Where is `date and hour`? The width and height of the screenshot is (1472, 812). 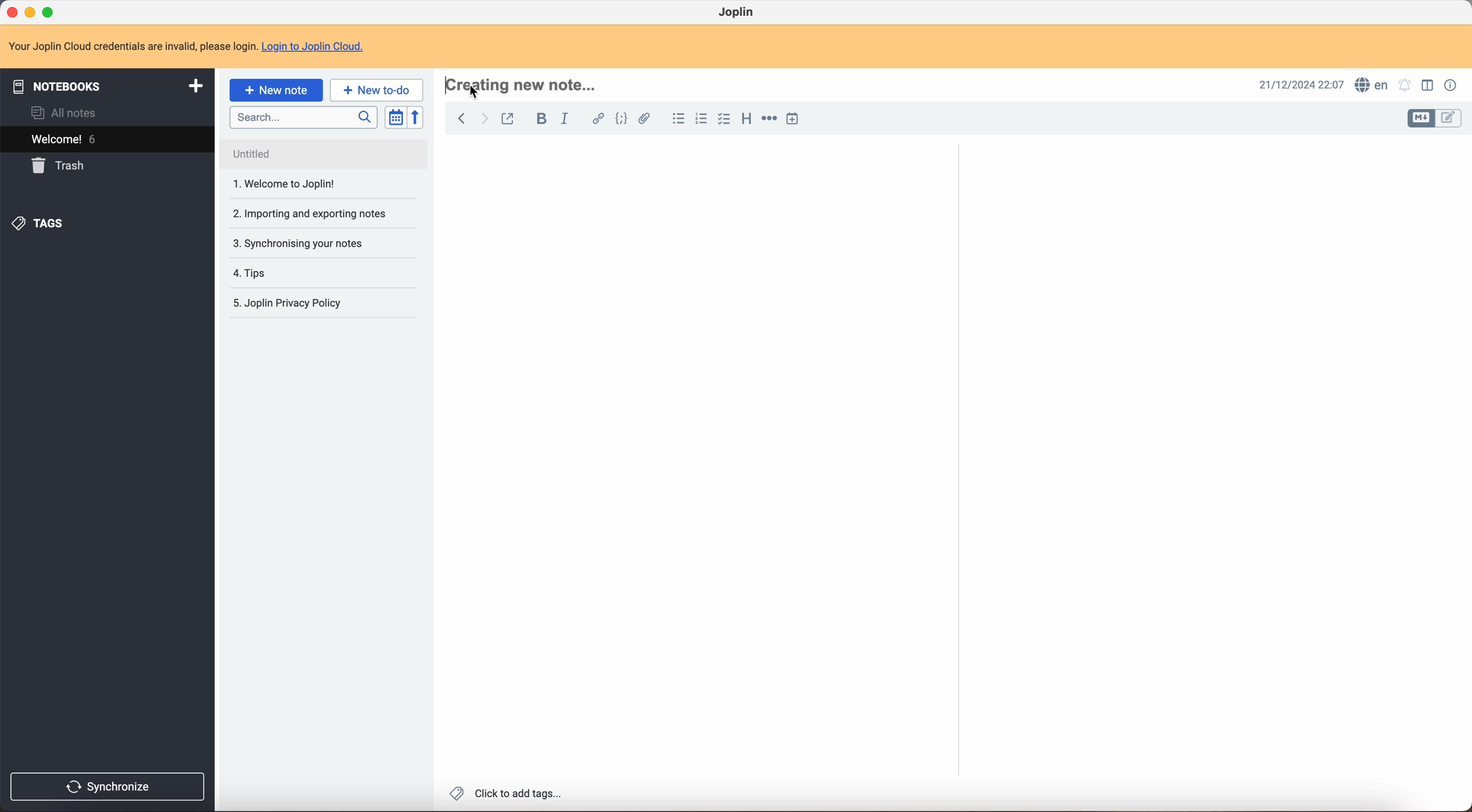 date and hour is located at coordinates (1297, 83).